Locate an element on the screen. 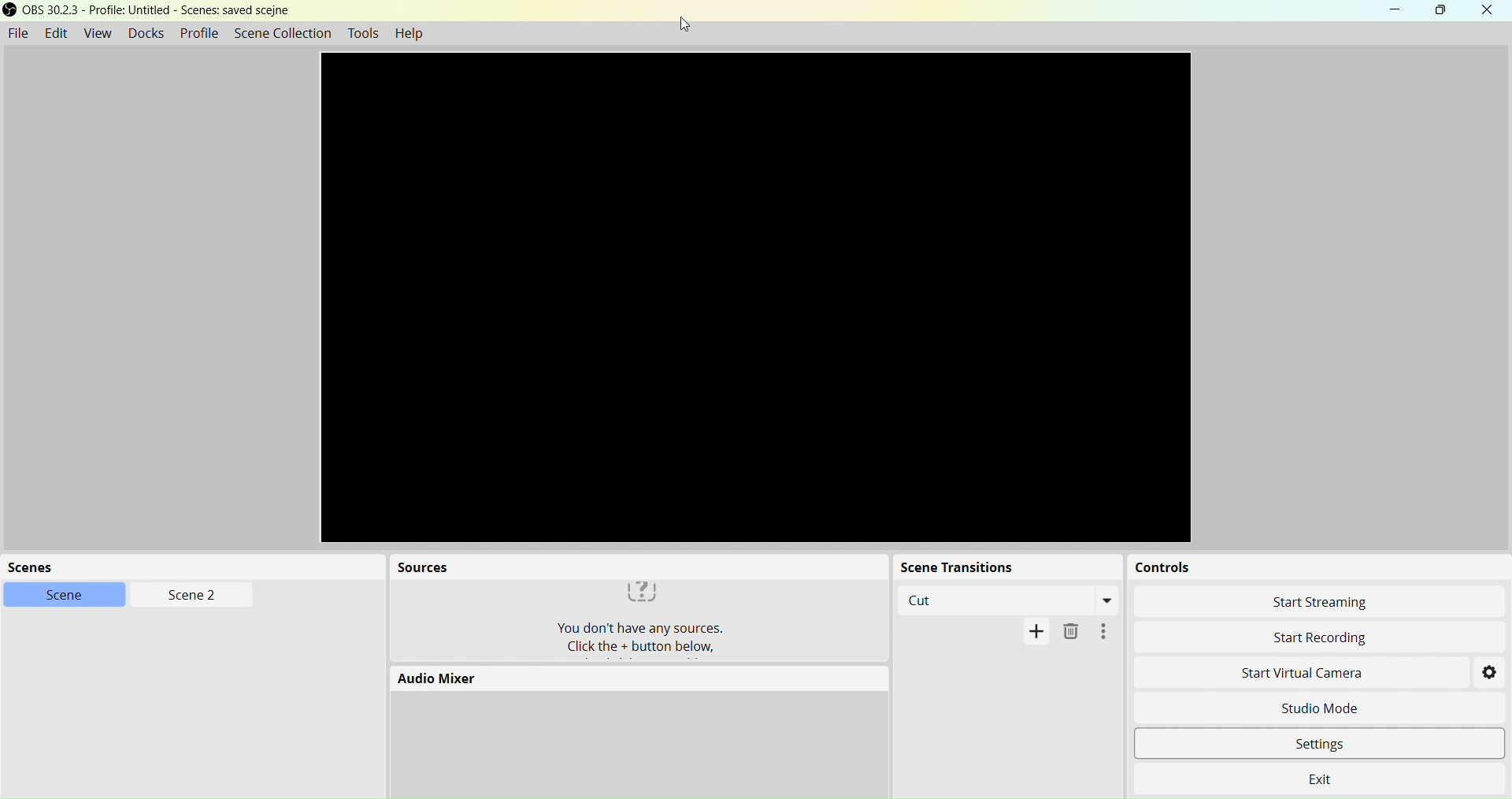 This screenshot has width=1512, height=799. Studio Mode is located at coordinates (1338, 709).